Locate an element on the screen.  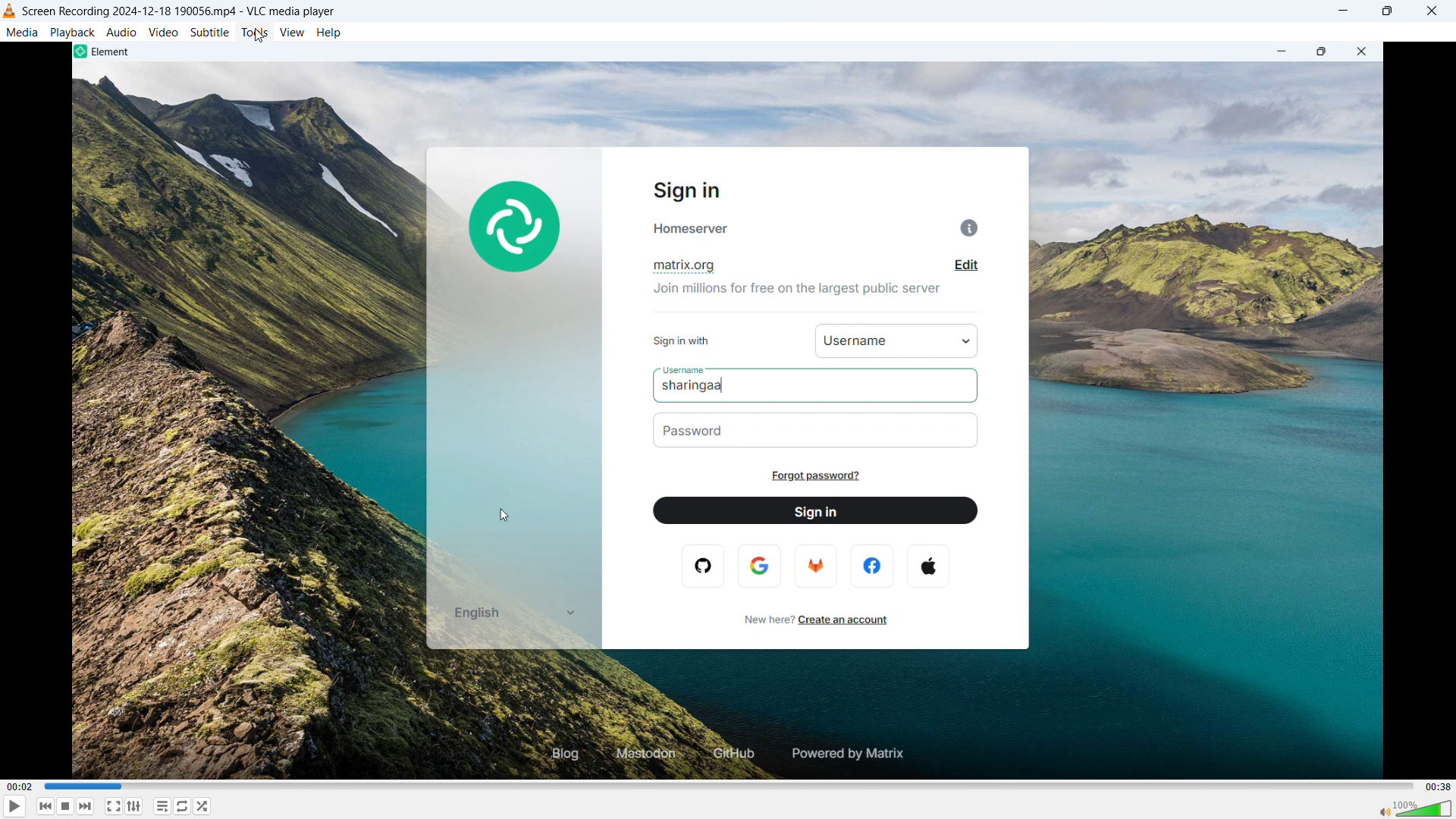
element logo is located at coordinates (509, 232).